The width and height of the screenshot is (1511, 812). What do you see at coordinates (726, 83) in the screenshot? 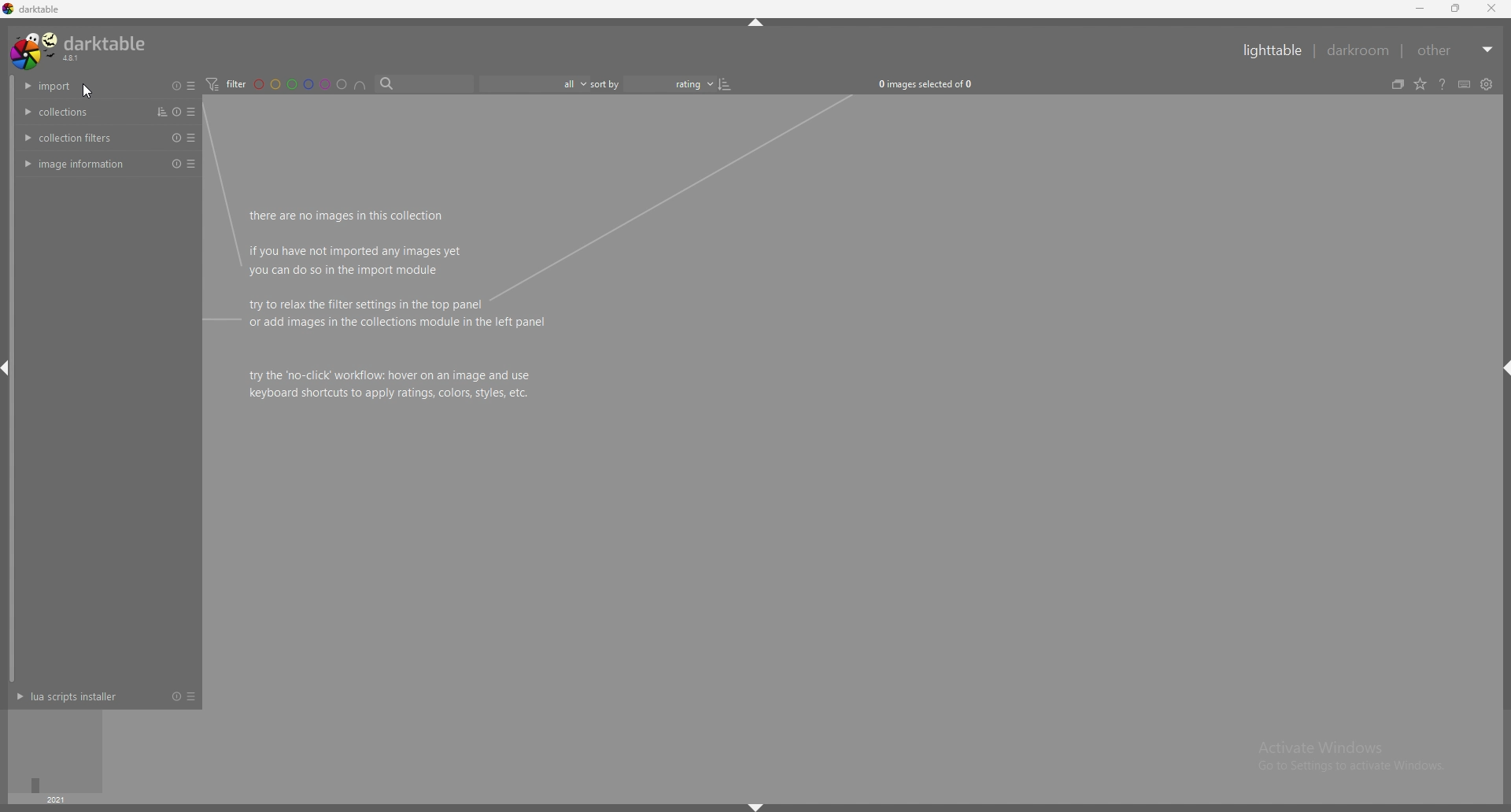
I see `reserve sort order` at bounding box center [726, 83].